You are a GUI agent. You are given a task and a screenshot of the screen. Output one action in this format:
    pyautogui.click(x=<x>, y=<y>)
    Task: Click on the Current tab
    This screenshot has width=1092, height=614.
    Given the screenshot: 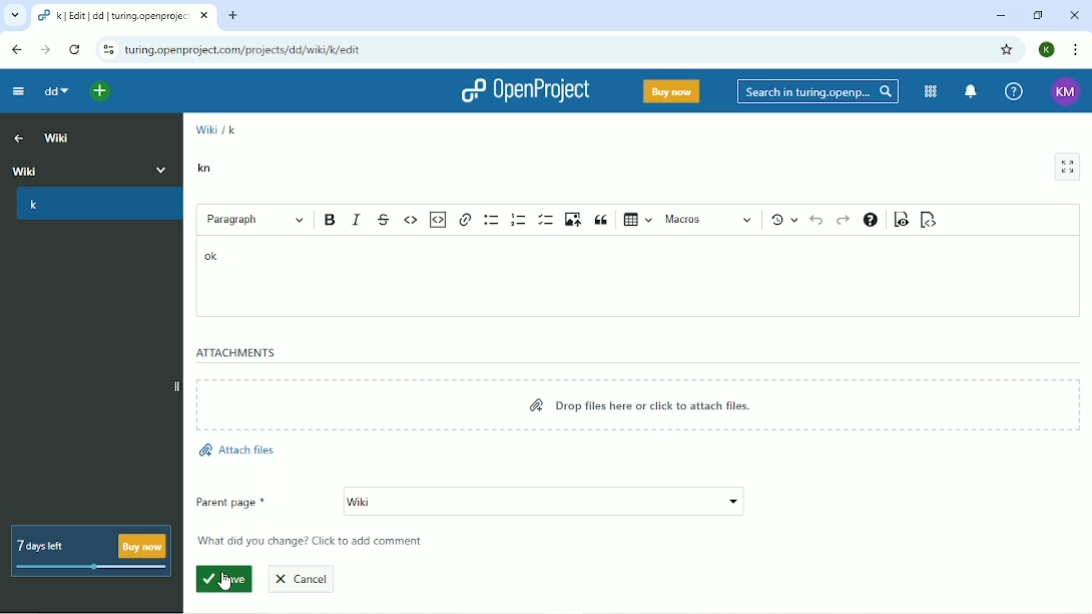 What is the action you would take?
    pyautogui.click(x=122, y=18)
    